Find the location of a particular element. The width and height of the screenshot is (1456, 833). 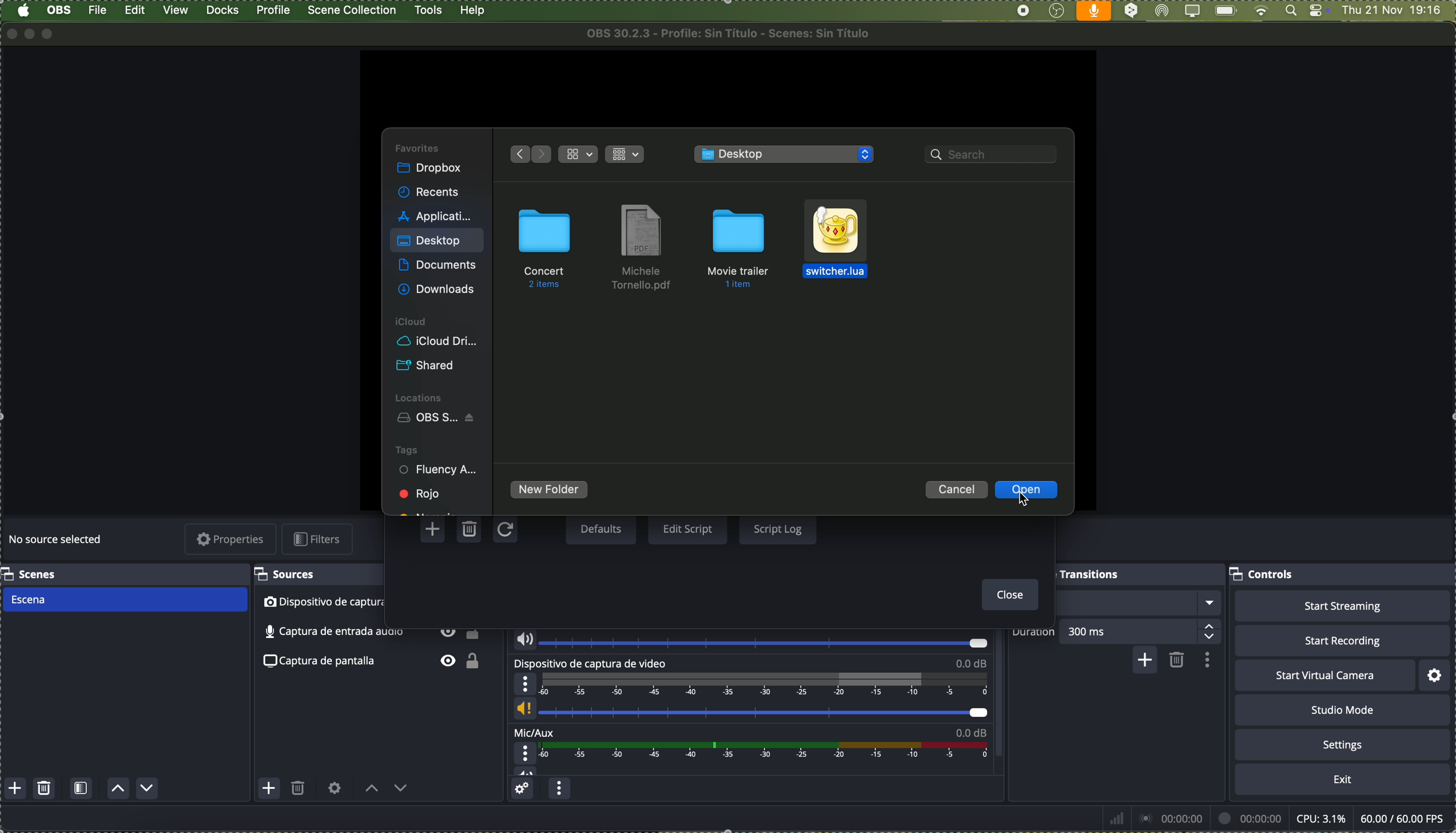

grid view is located at coordinates (627, 153).